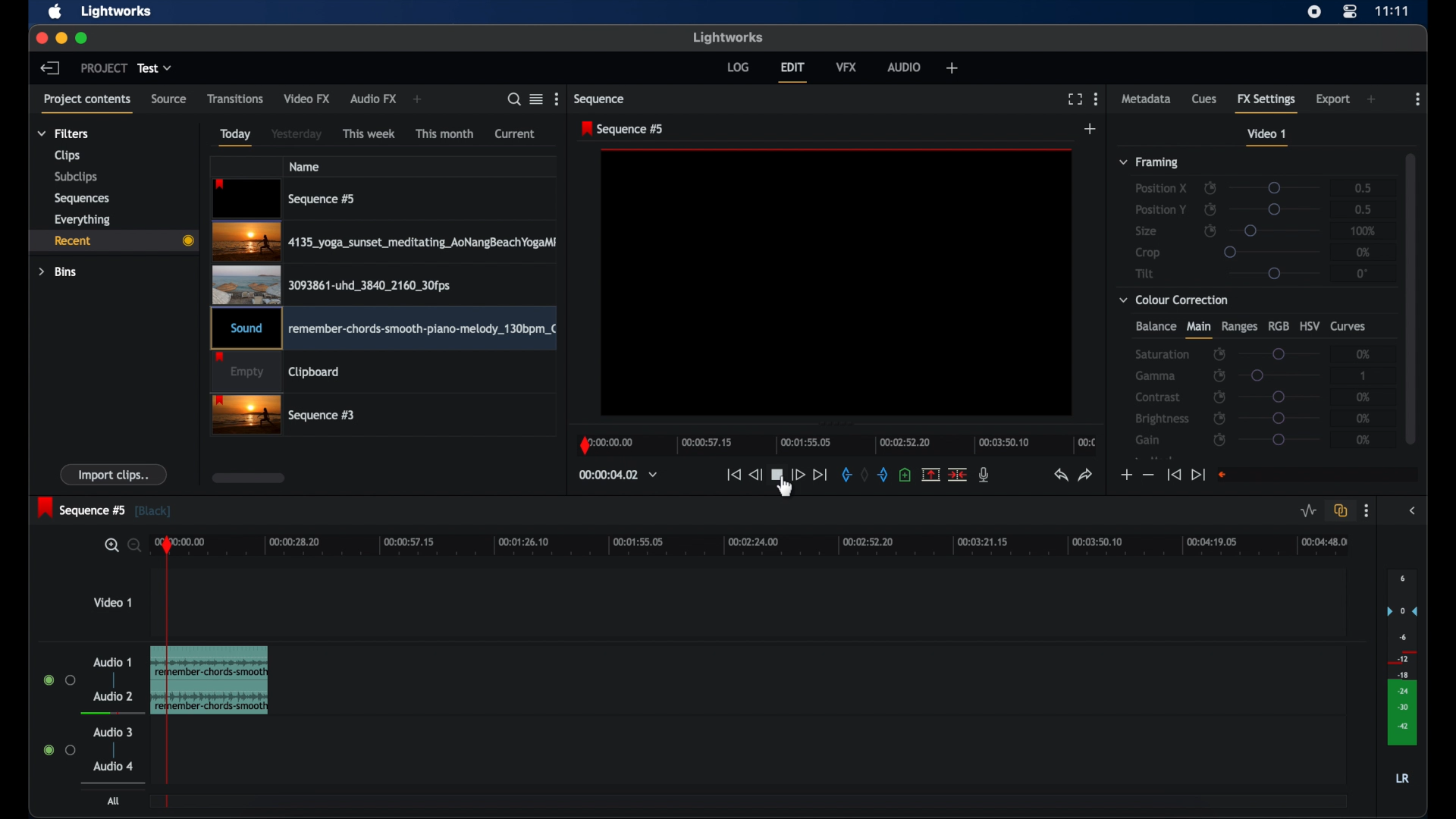 Image resolution: width=1456 pixels, height=819 pixels. What do you see at coordinates (1239, 327) in the screenshot?
I see `ranges` at bounding box center [1239, 327].